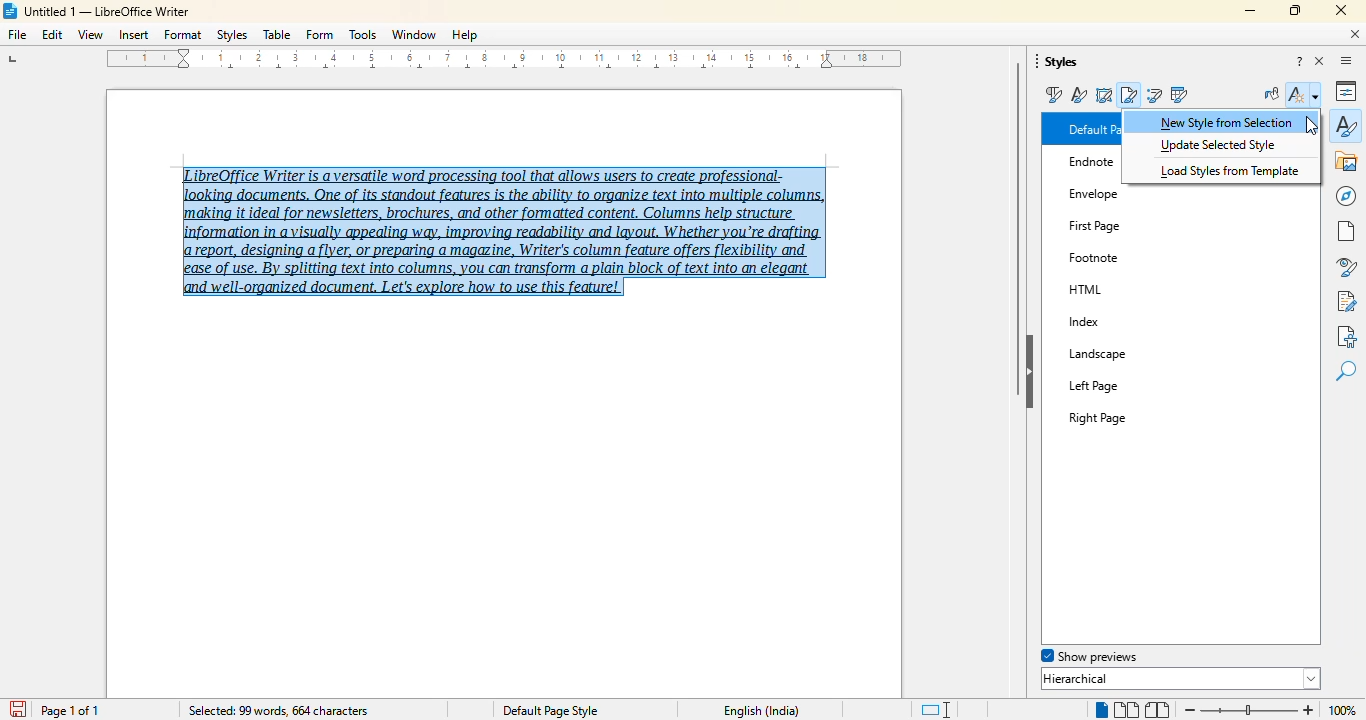  I want to click on close , so click(1341, 10).